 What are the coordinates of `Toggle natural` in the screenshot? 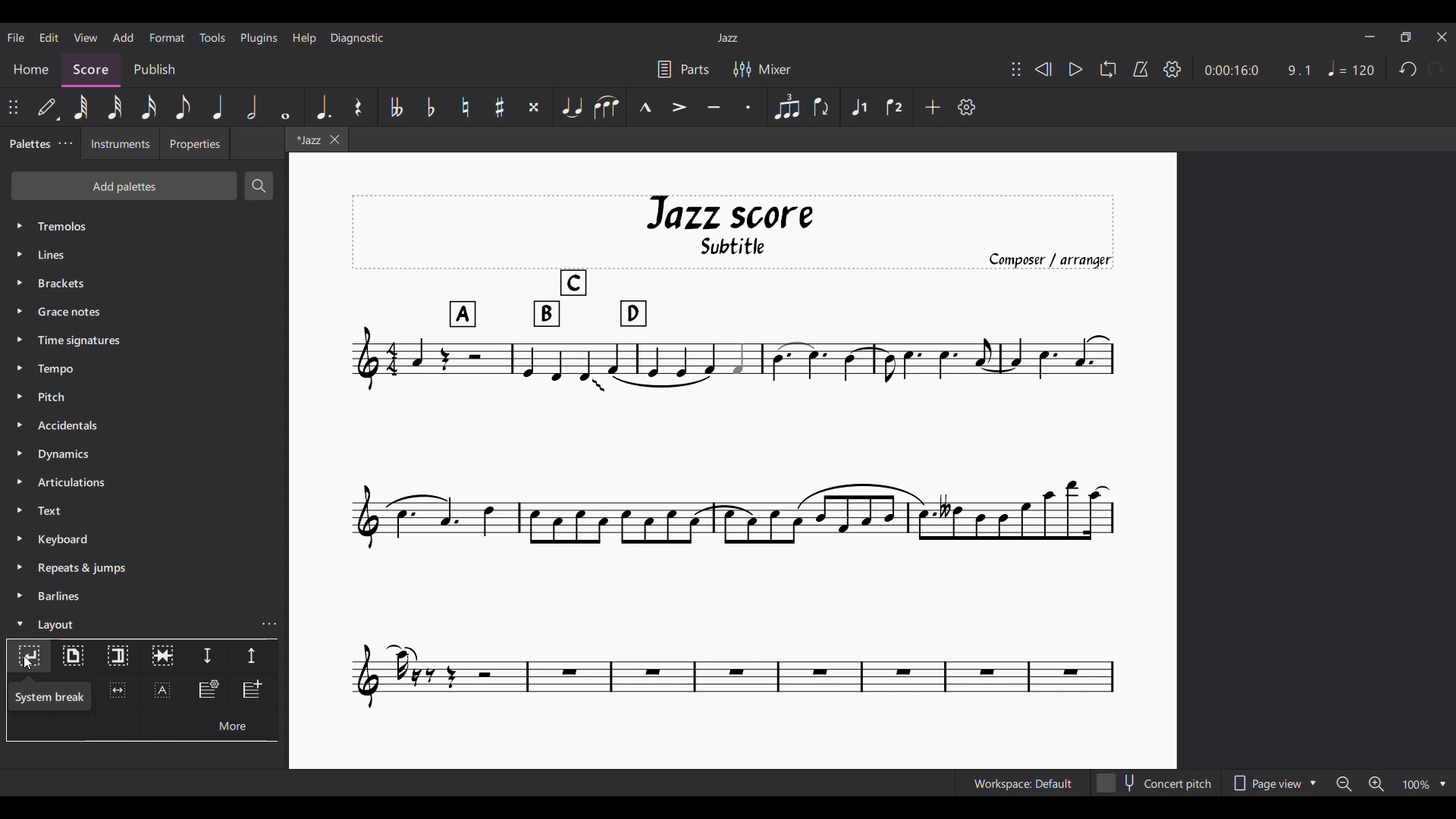 It's located at (466, 107).